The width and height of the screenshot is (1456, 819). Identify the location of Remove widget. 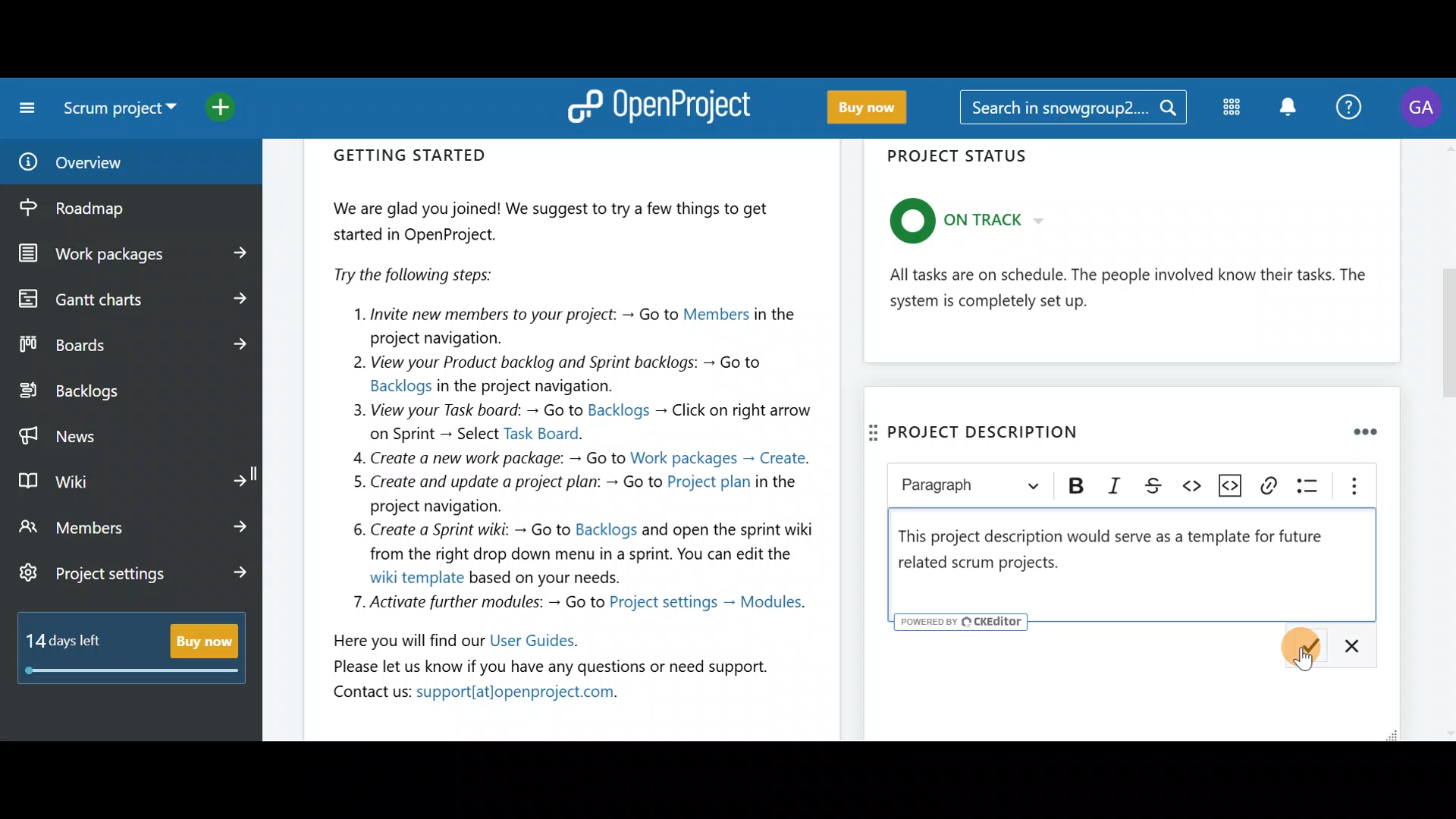
(1370, 434).